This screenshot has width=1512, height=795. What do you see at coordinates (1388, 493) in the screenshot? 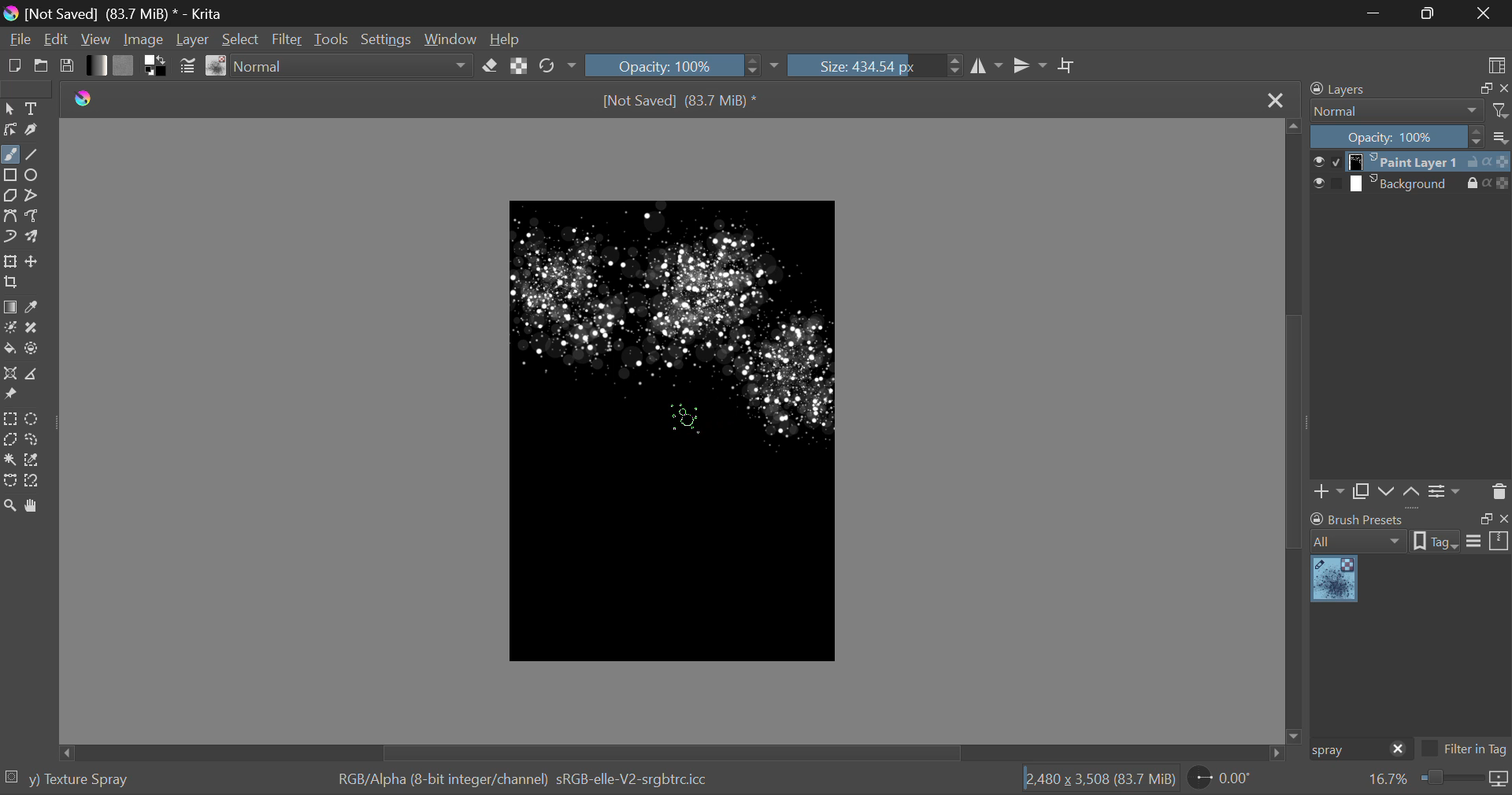
I see `Layer Movement down` at bounding box center [1388, 493].